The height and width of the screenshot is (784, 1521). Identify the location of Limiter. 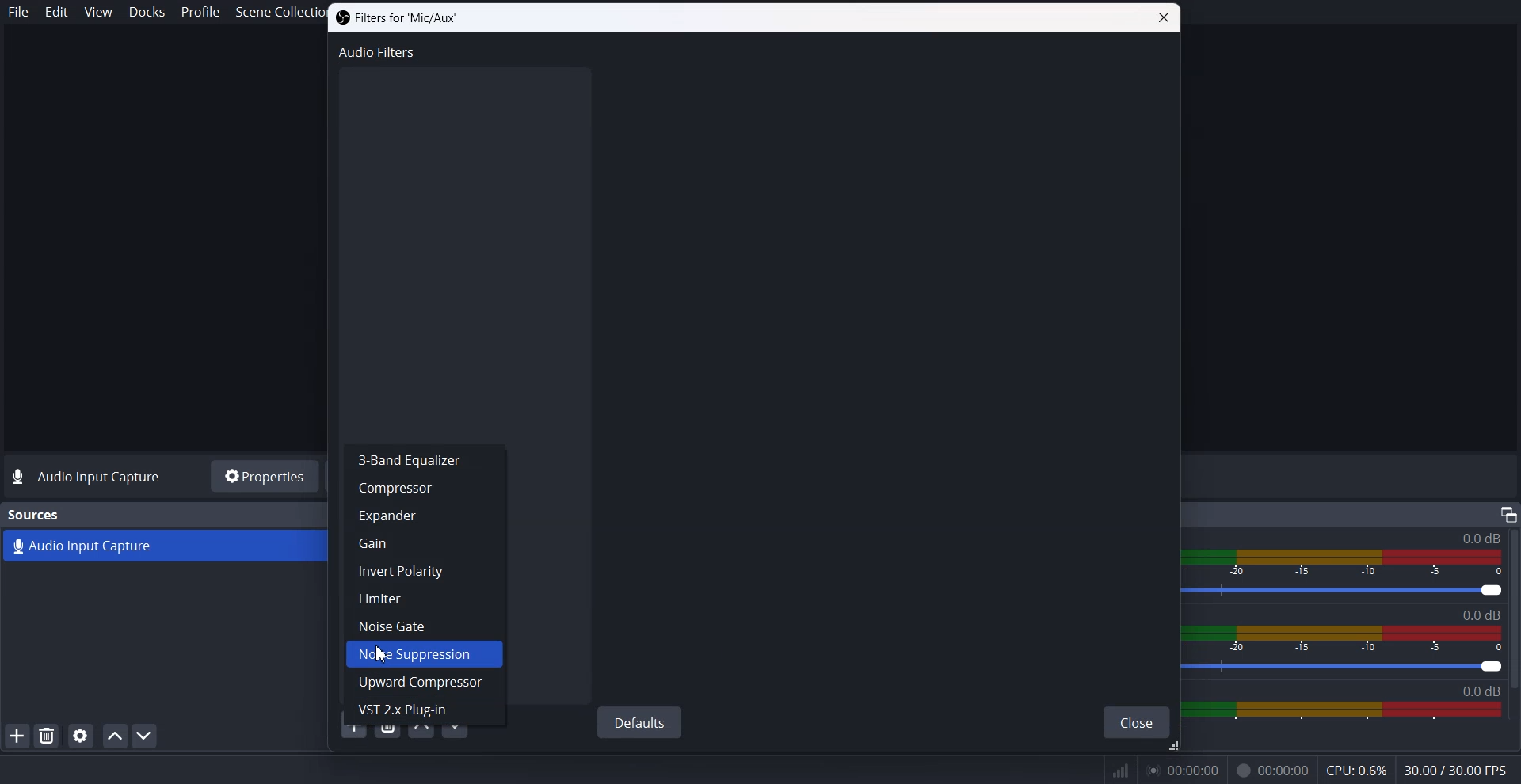
(425, 598).